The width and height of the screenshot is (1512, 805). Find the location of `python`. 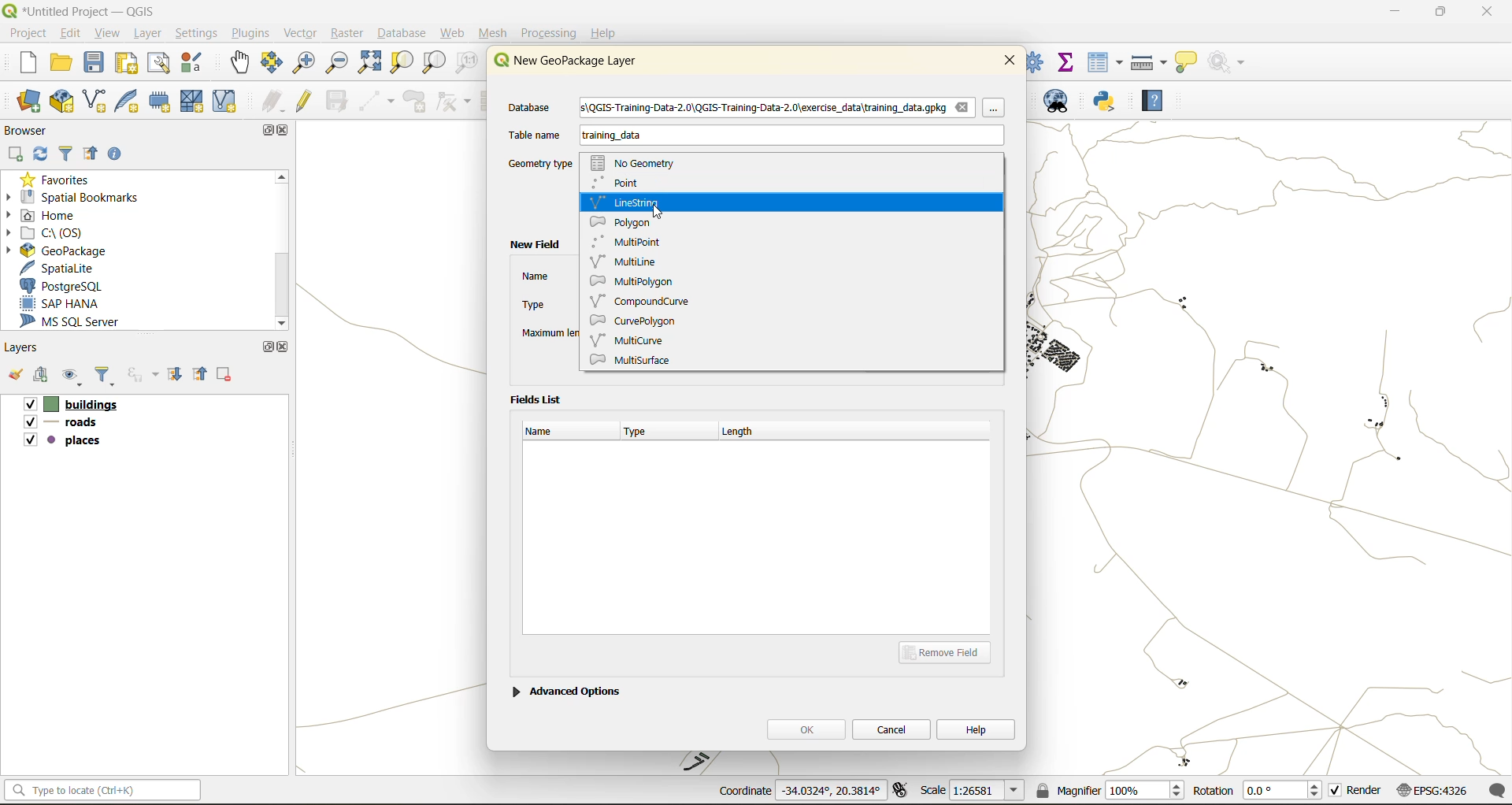

python is located at coordinates (1105, 102).